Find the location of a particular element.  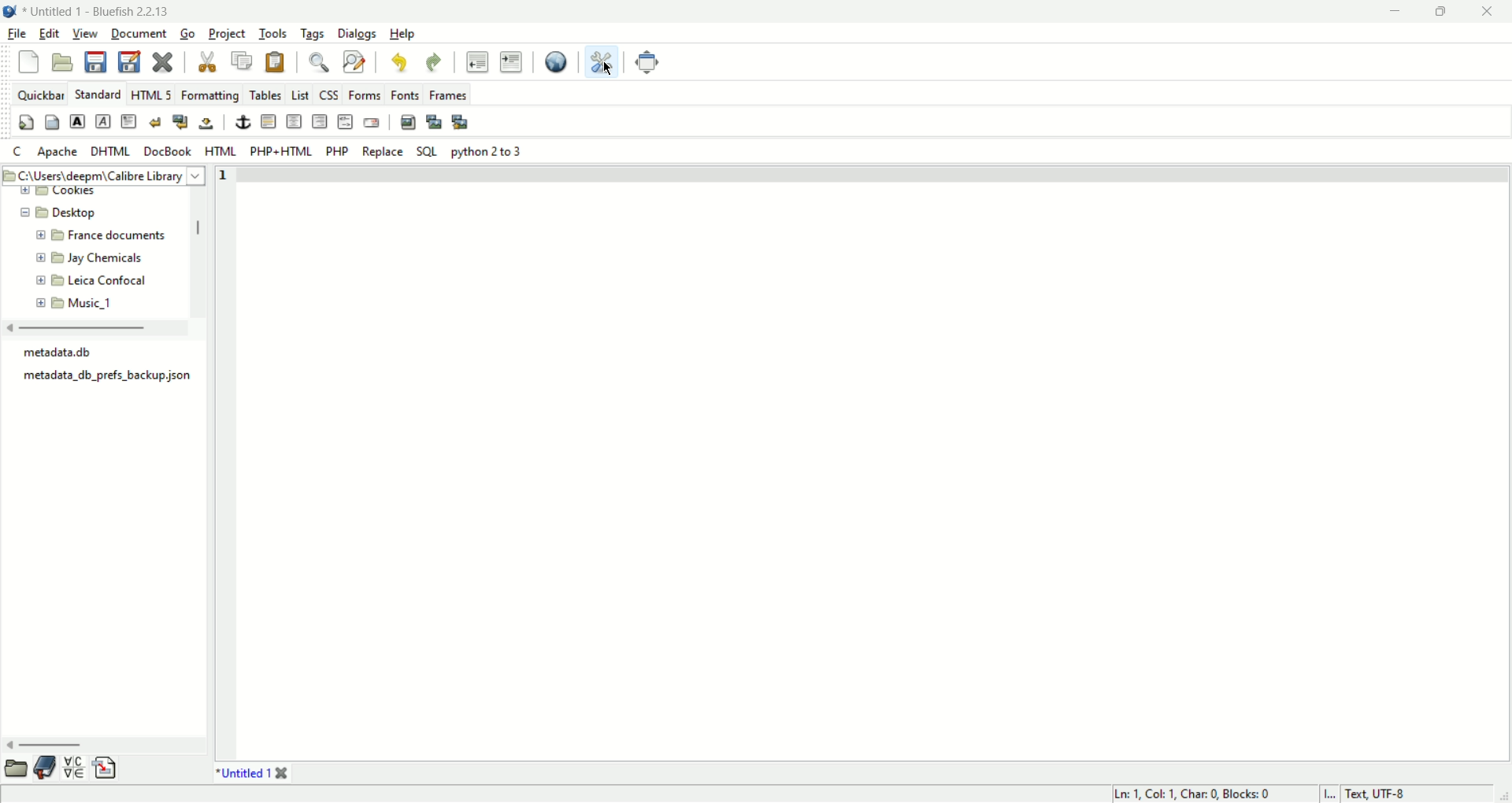

copy is located at coordinates (243, 62).